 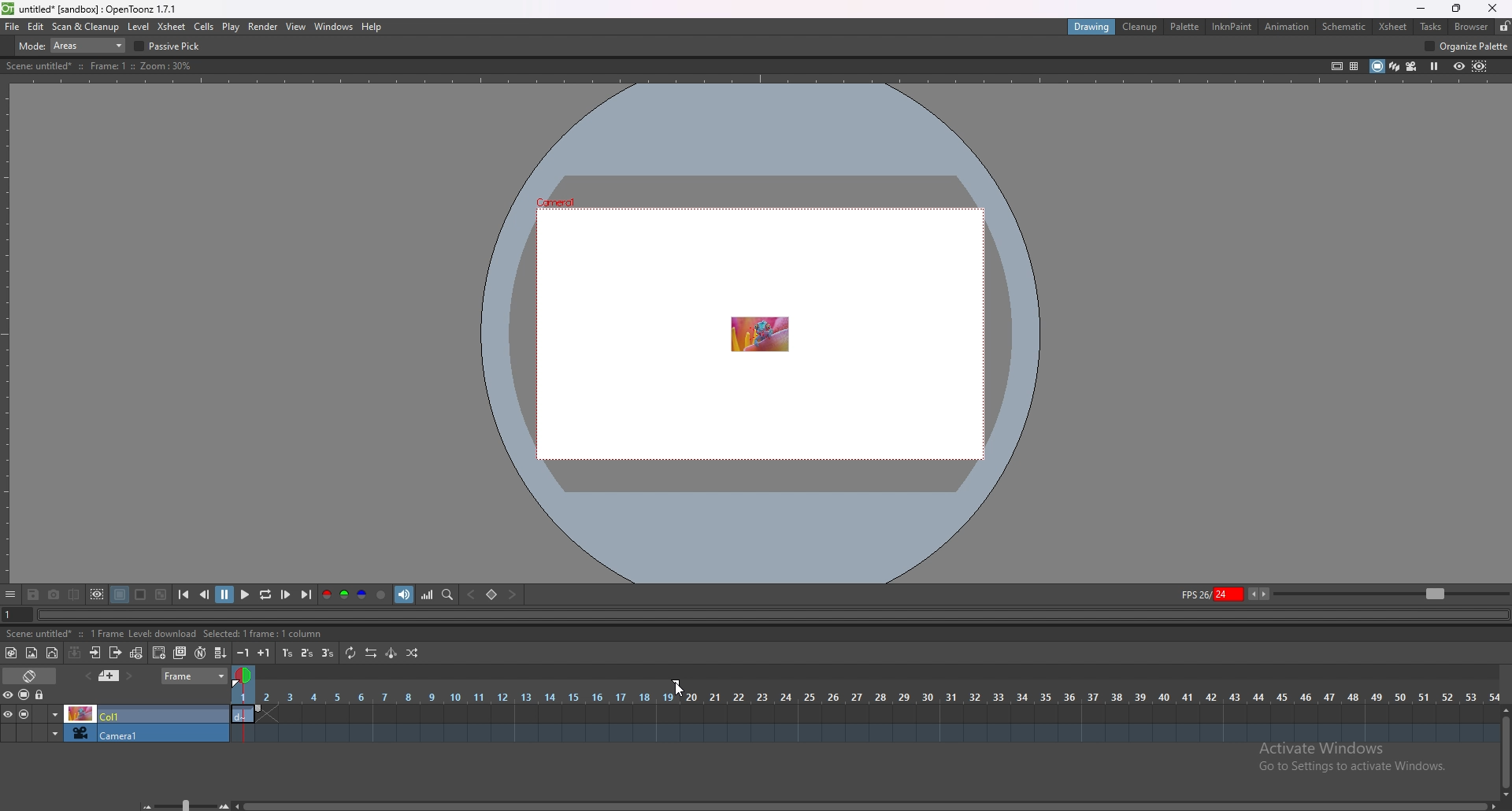 I want to click on first frame, so click(x=184, y=595).